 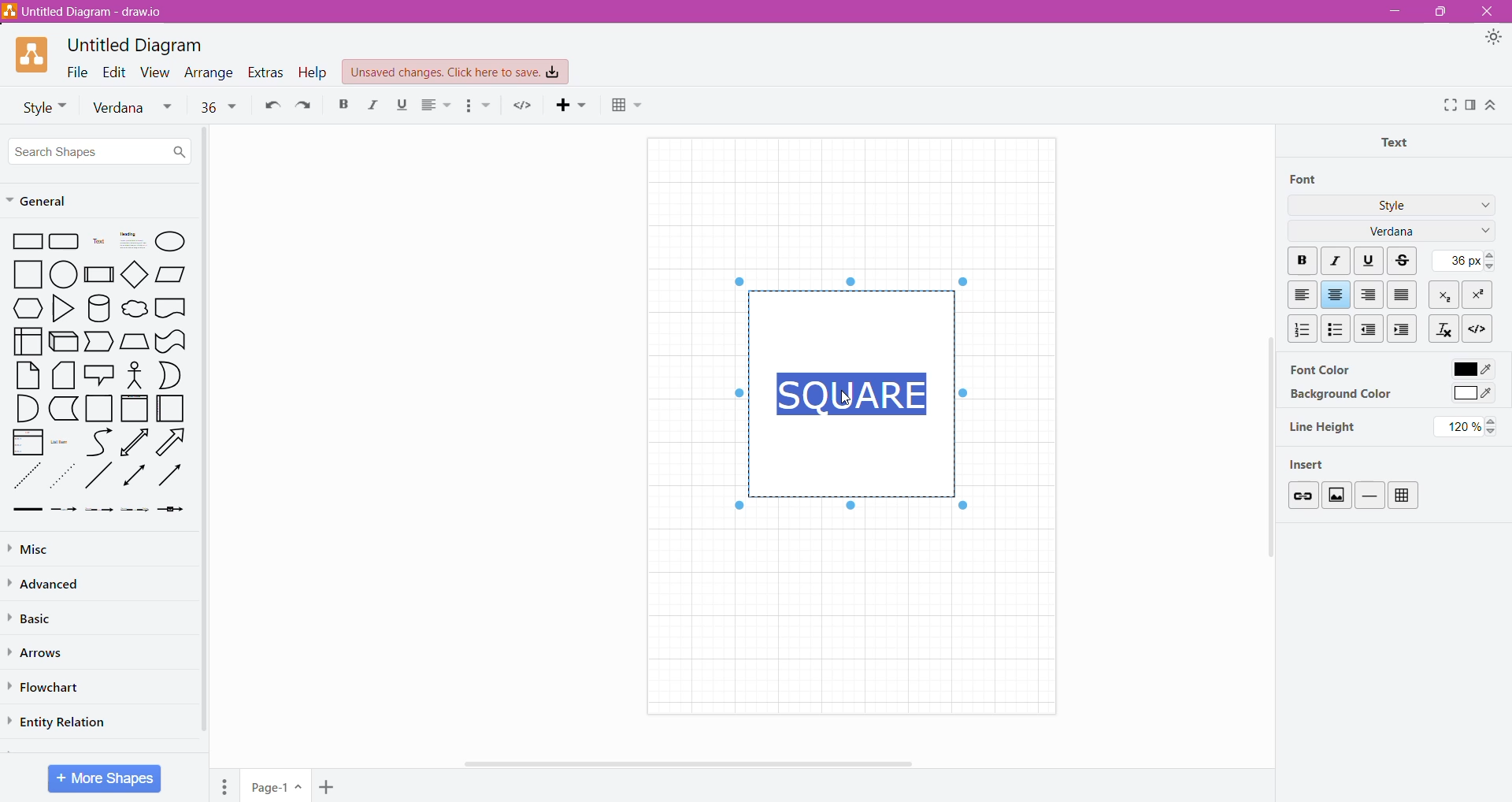 I want to click on Application Logo, so click(x=33, y=55).